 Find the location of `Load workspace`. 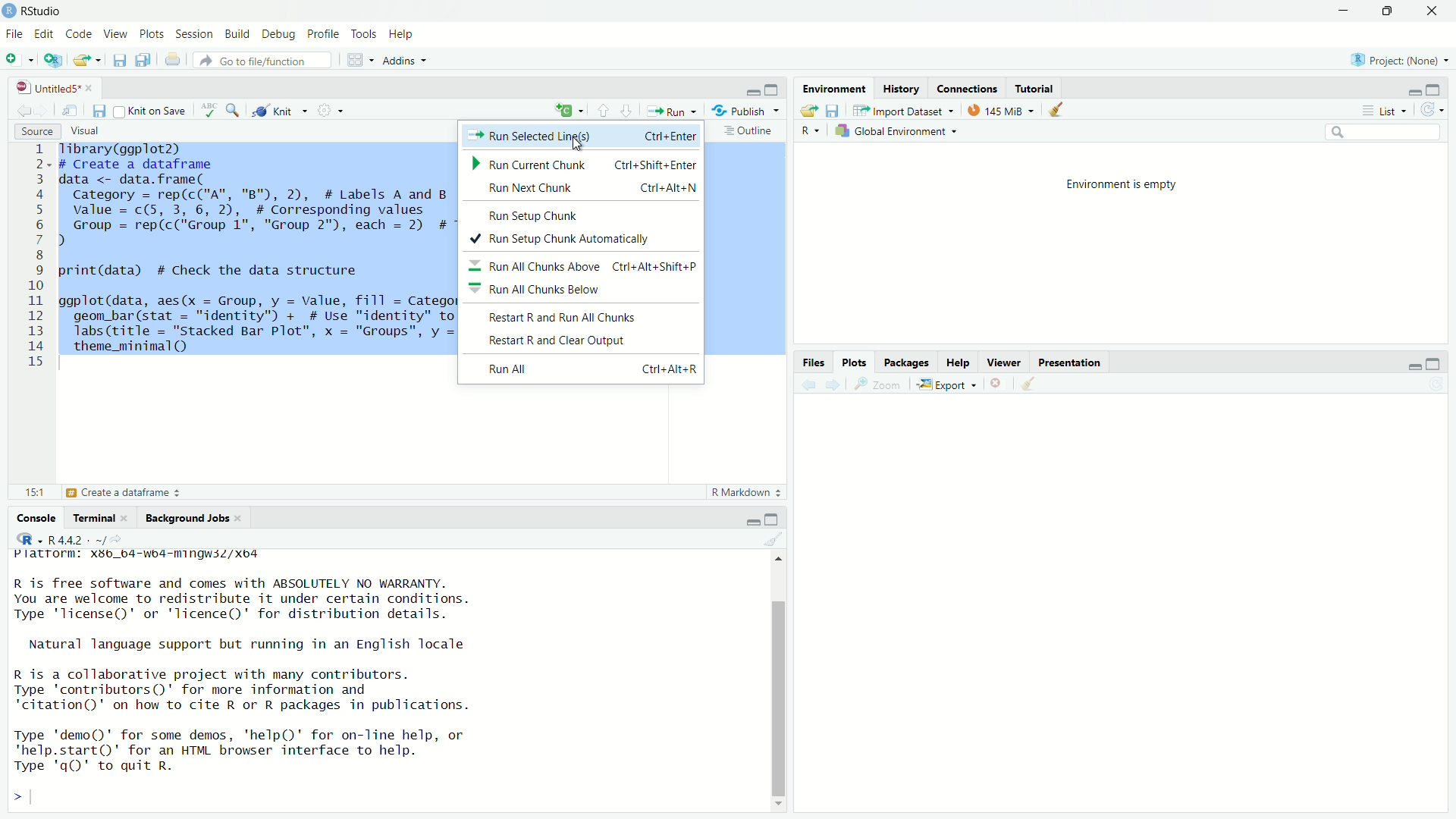

Load workspace is located at coordinates (808, 108).